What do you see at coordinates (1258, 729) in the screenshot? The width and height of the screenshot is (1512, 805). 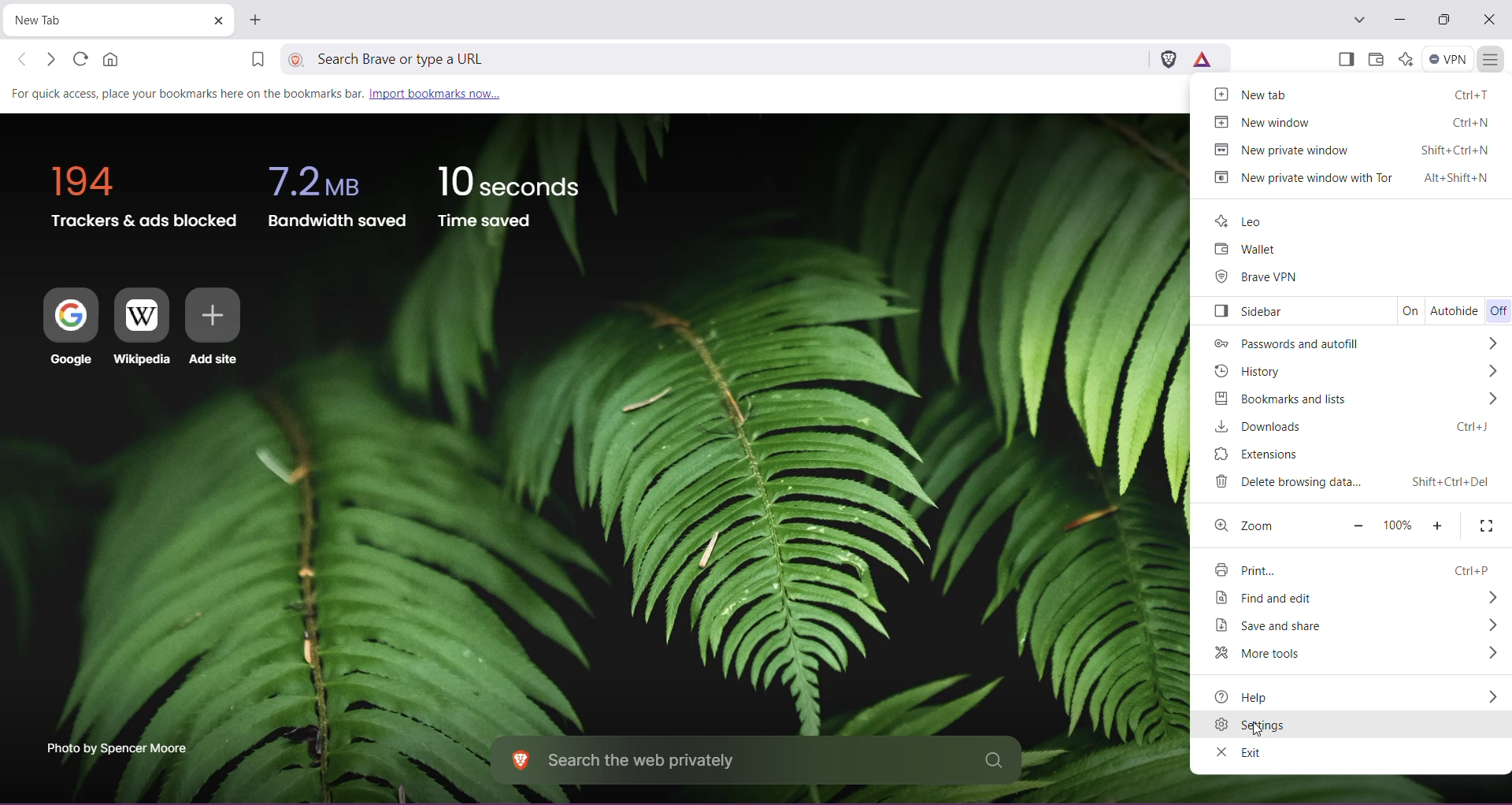 I see `cursor` at bounding box center [1258, 729].